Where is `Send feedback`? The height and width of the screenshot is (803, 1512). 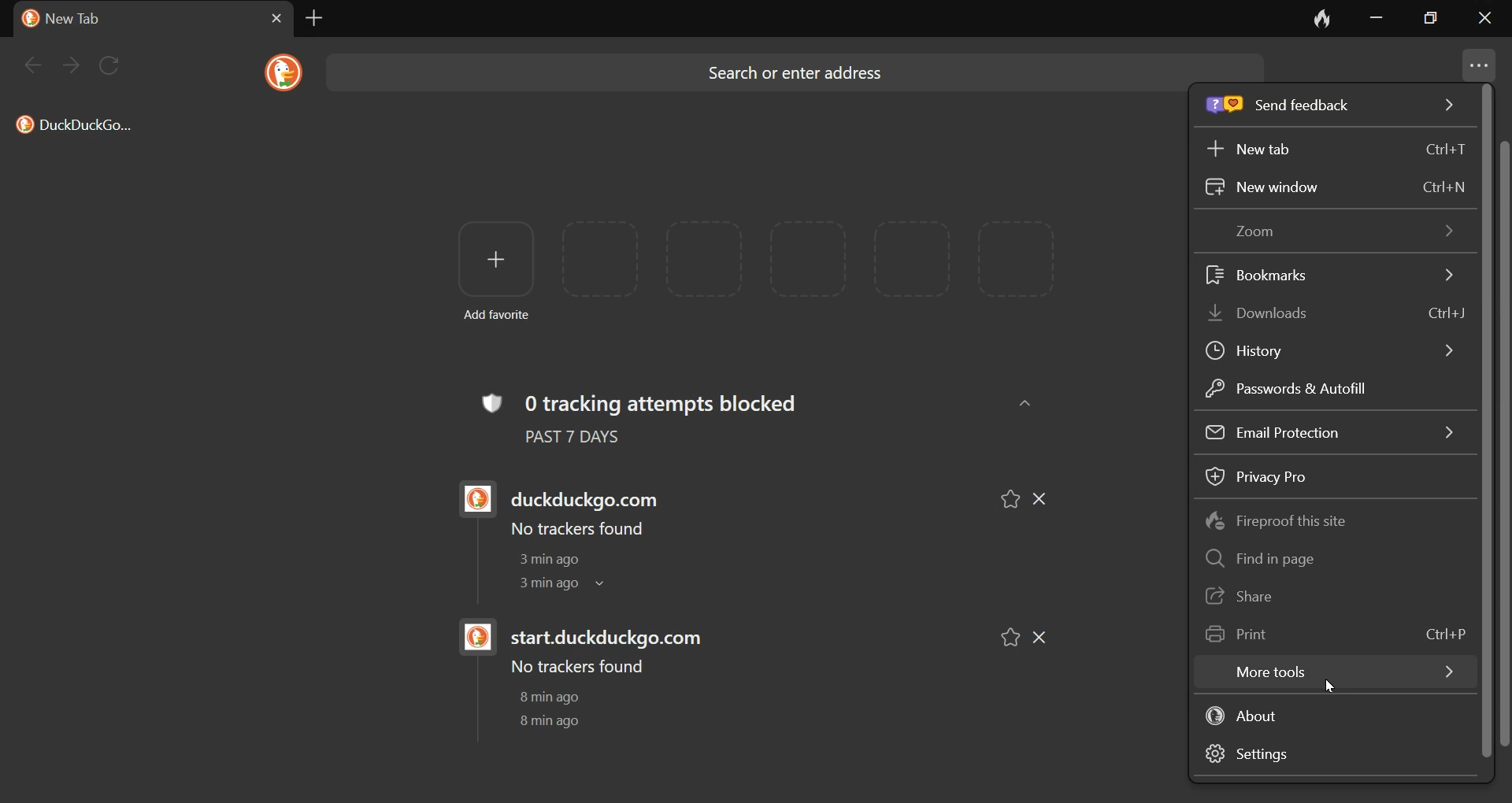
Send feedback is located at coordinates (1334, 109).